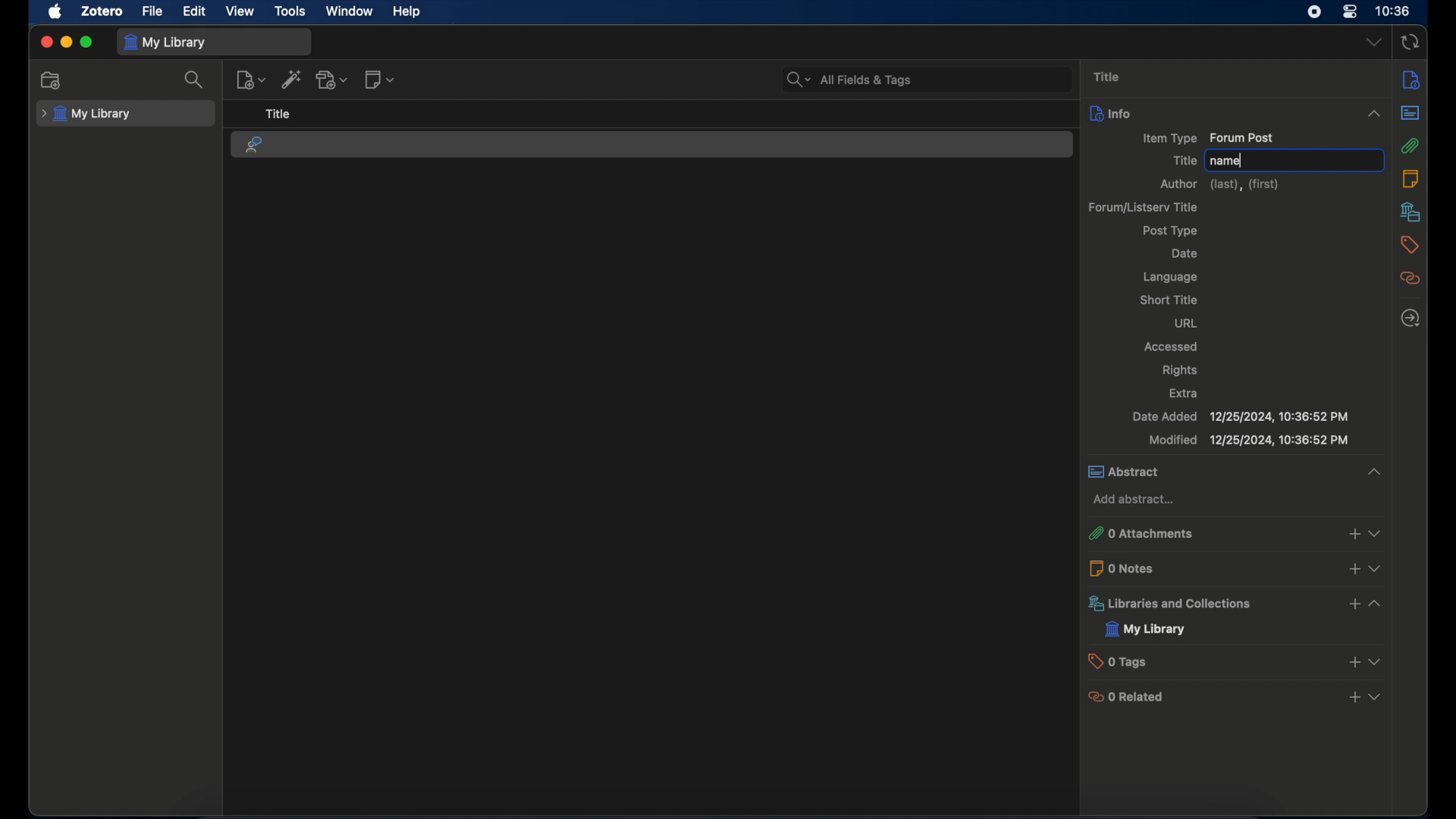  Describe the element at coordinates (1247, 440) in the screenshot. I see `modified` at that location.